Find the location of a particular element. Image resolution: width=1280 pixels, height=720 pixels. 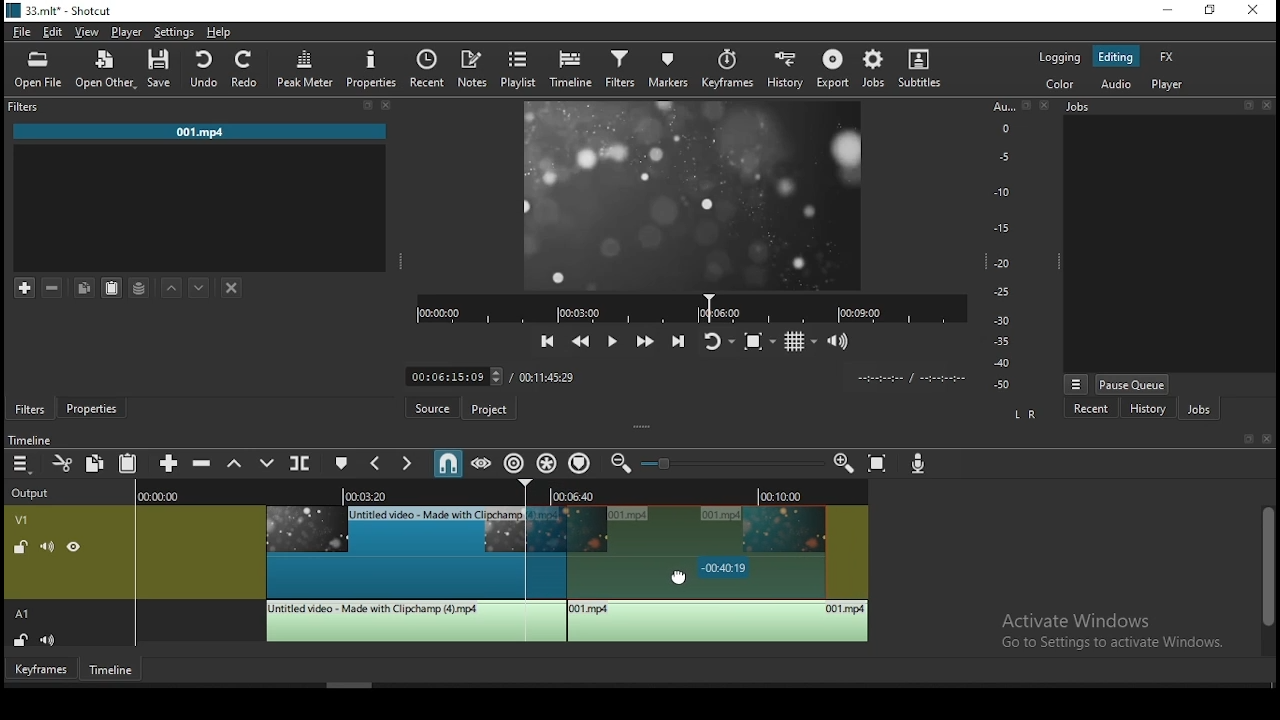

scrub while dragging is located at coordinates (480, 463).